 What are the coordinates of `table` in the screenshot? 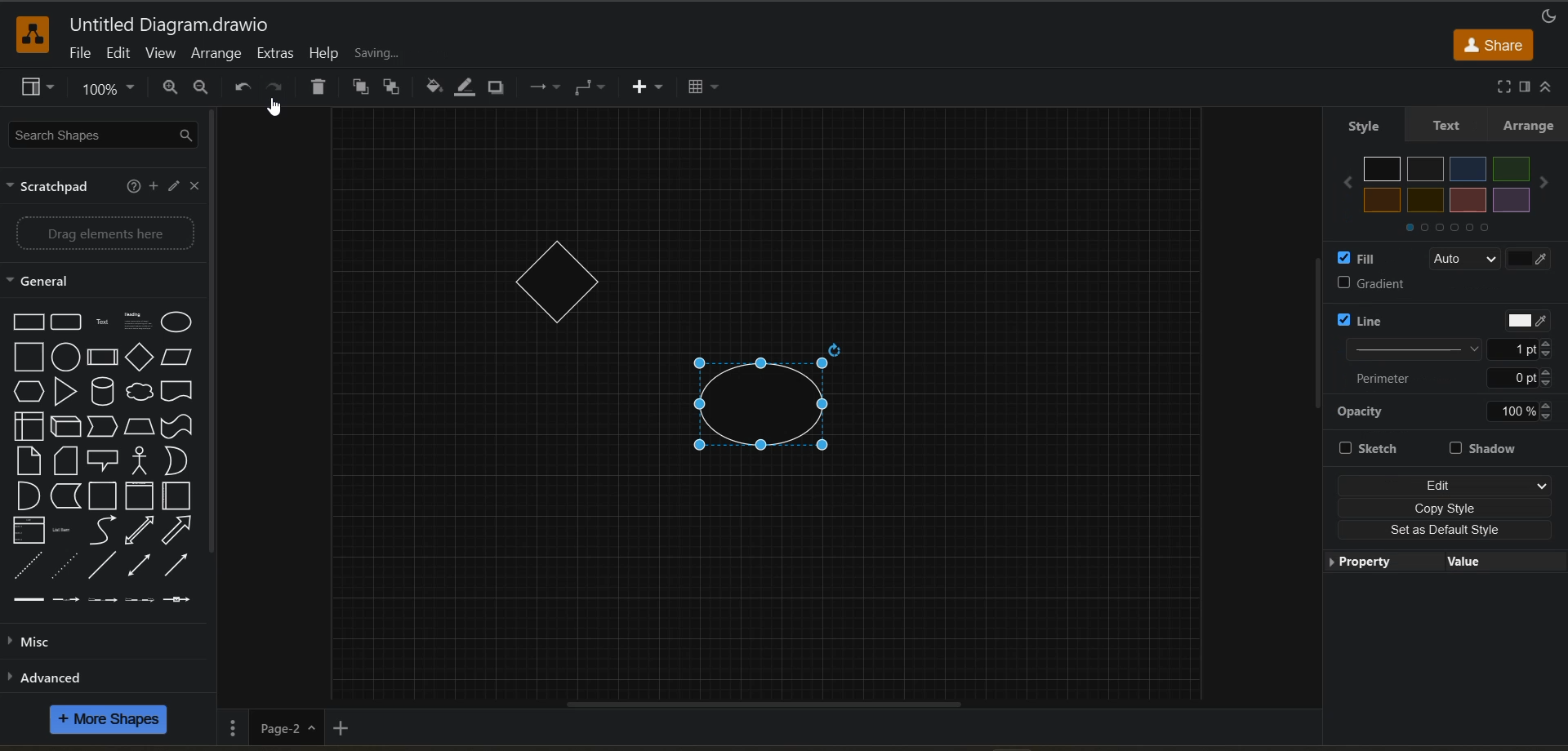 It's located at (708, 89).